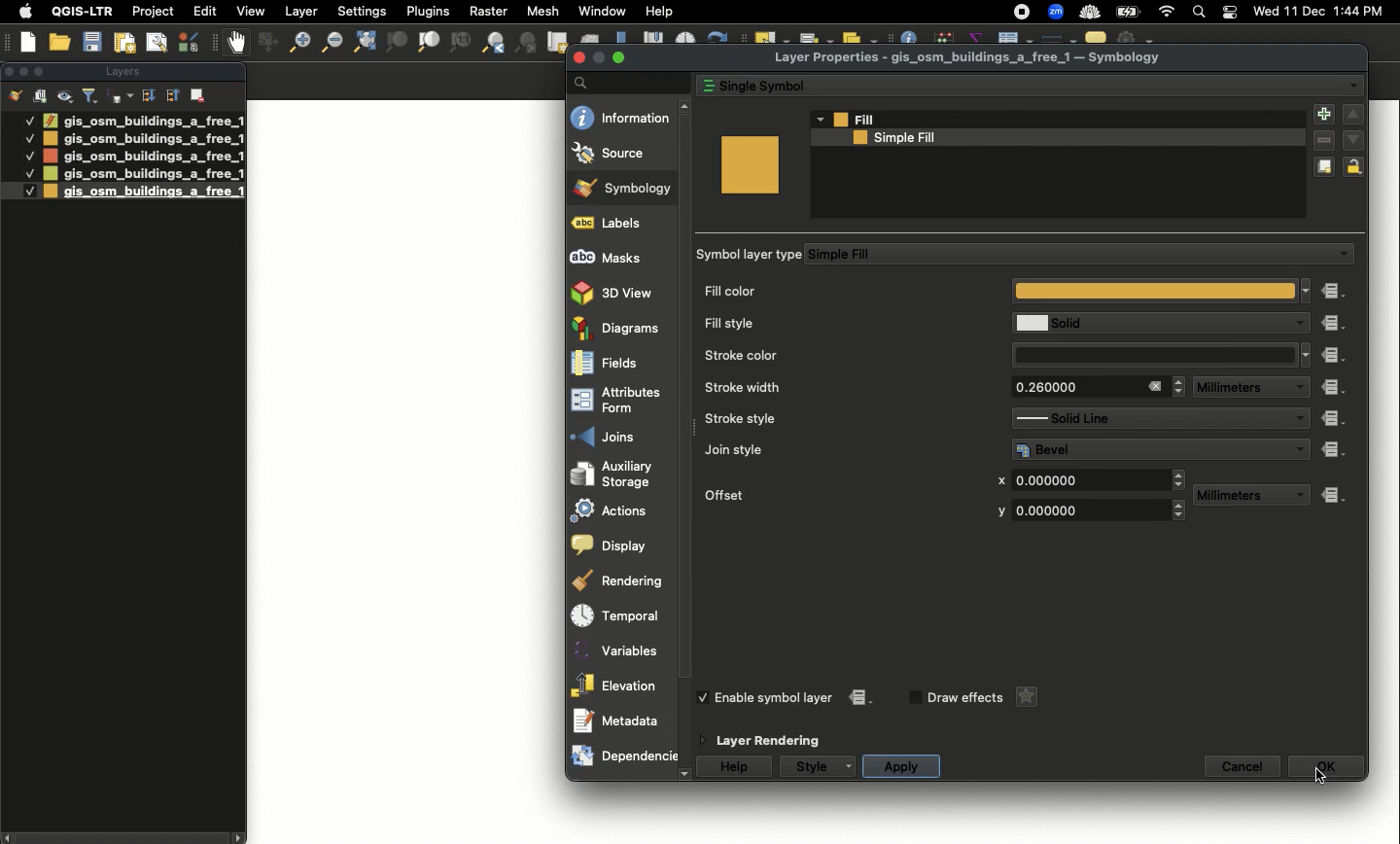 This screenshot has width=1400, height=844. Describe the element at coordinates (1064, 255) in the screenshot. I see `Simple Fill` at that location.